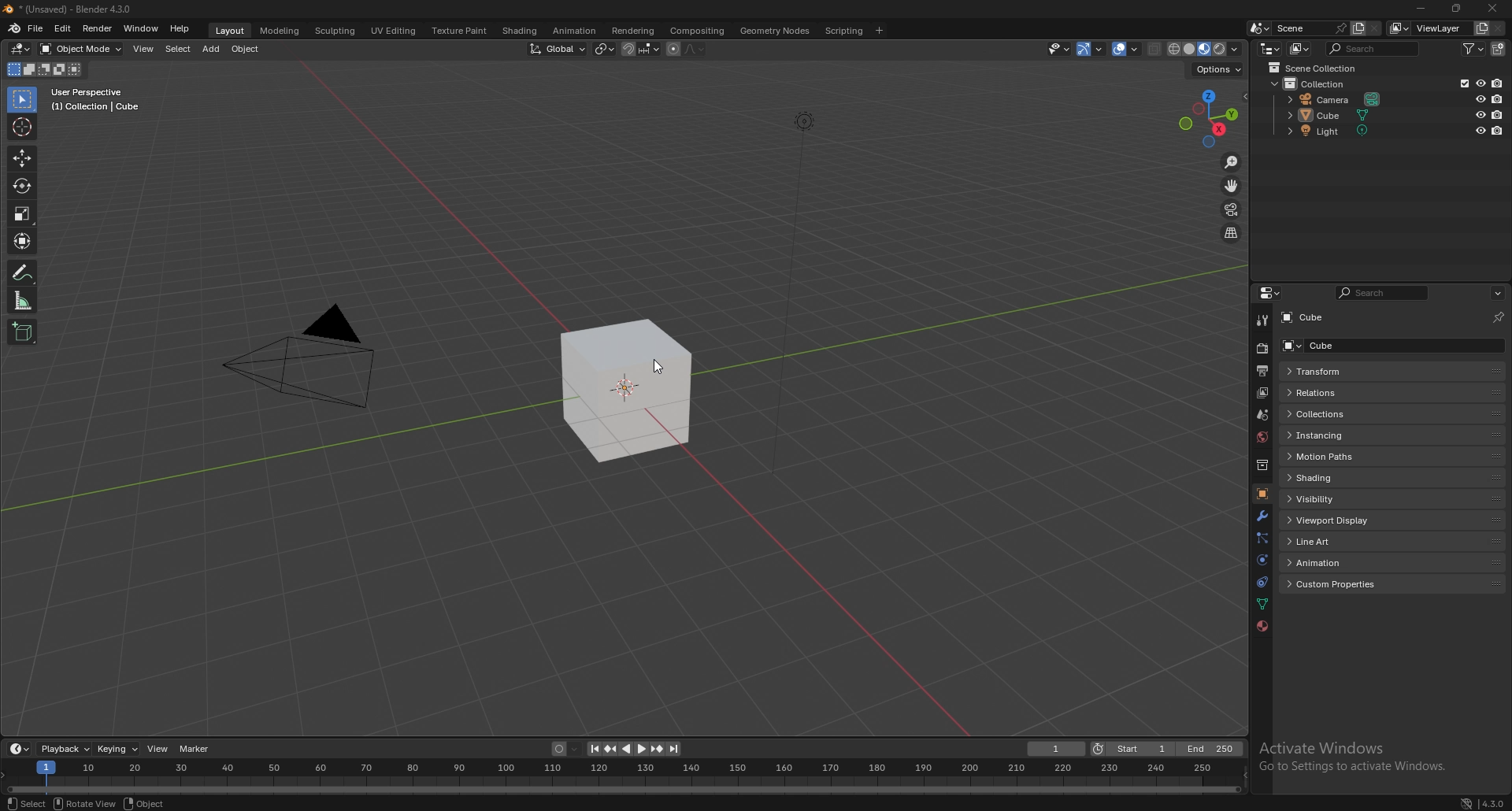  I want to click on close, so click(1494, 9).